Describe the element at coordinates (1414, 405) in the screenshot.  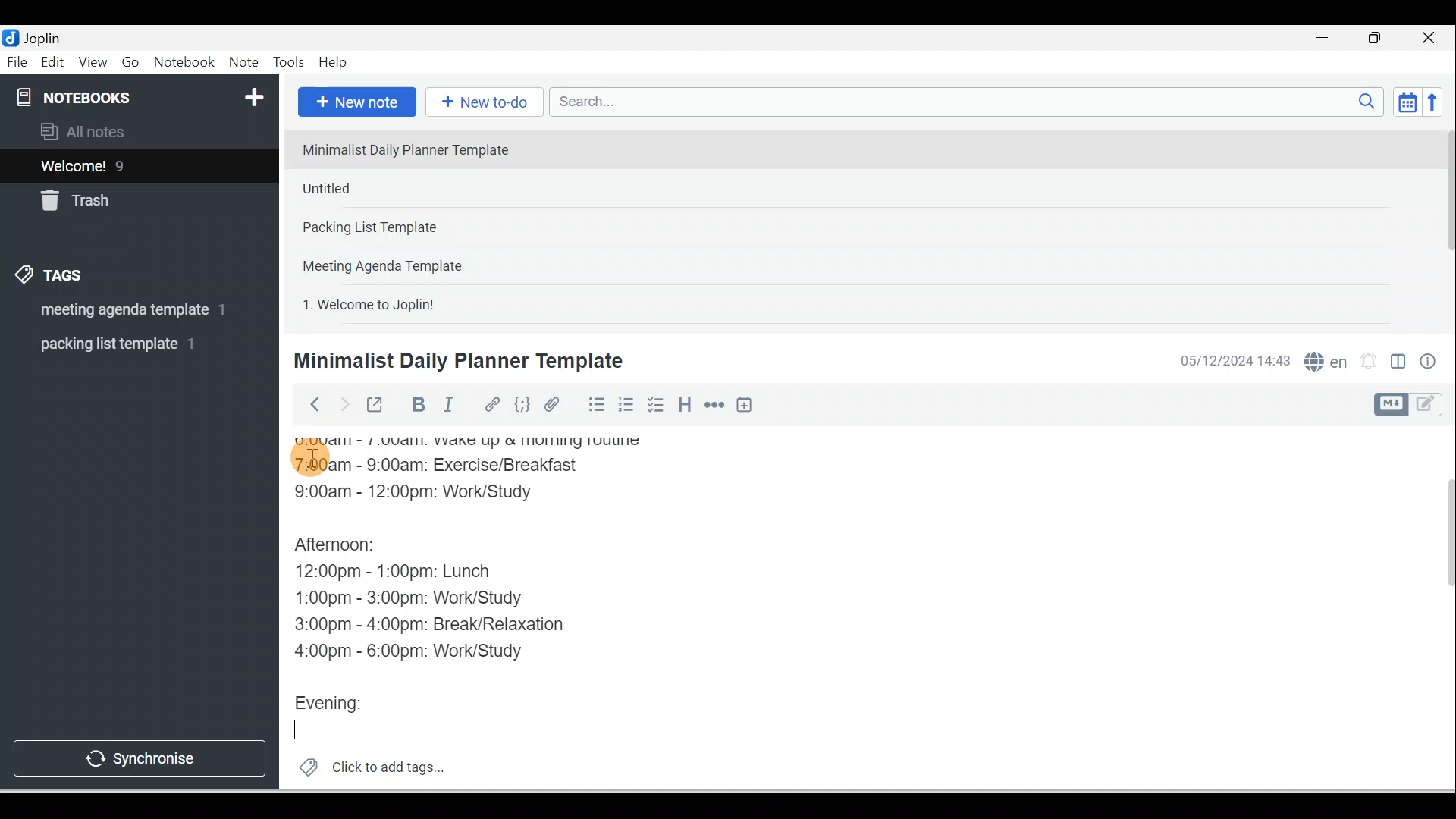
I see `Toggle editor layout` at that location.